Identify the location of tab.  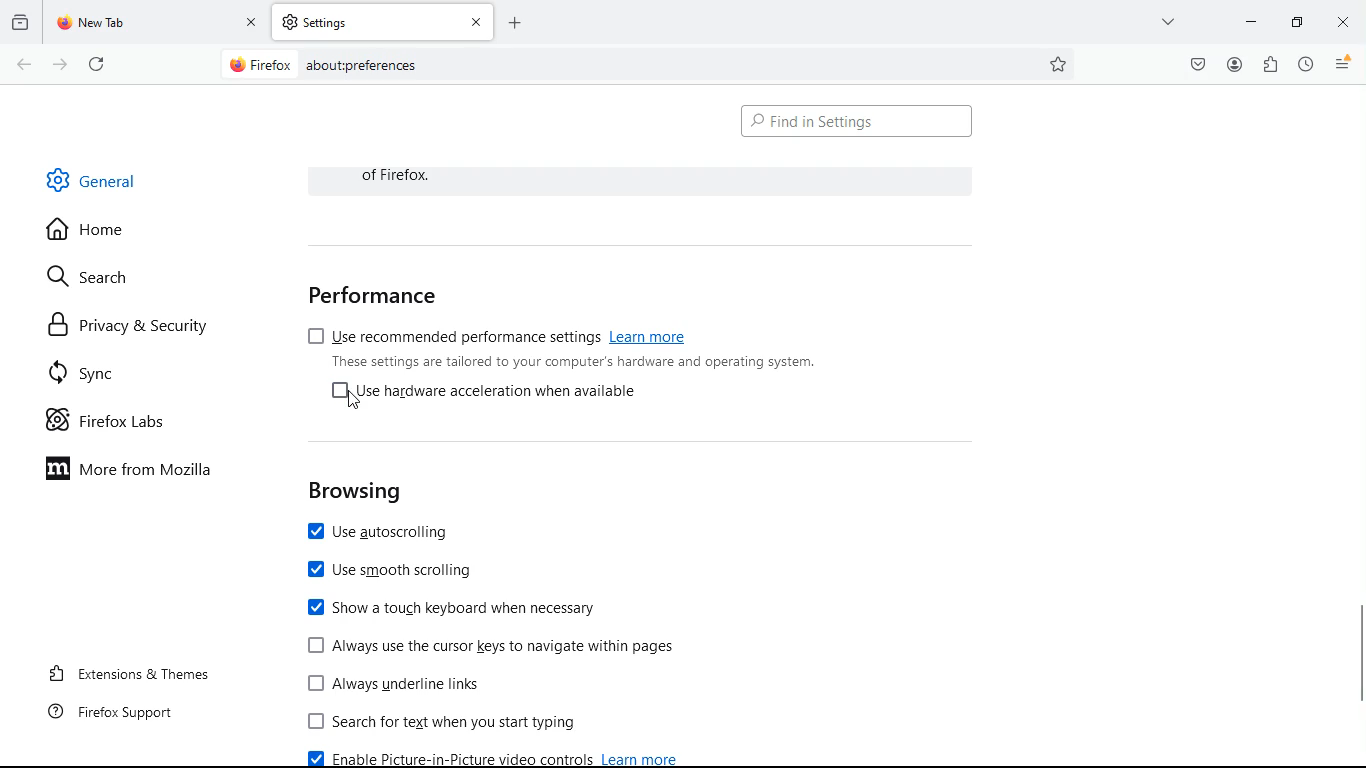
(156, 23).